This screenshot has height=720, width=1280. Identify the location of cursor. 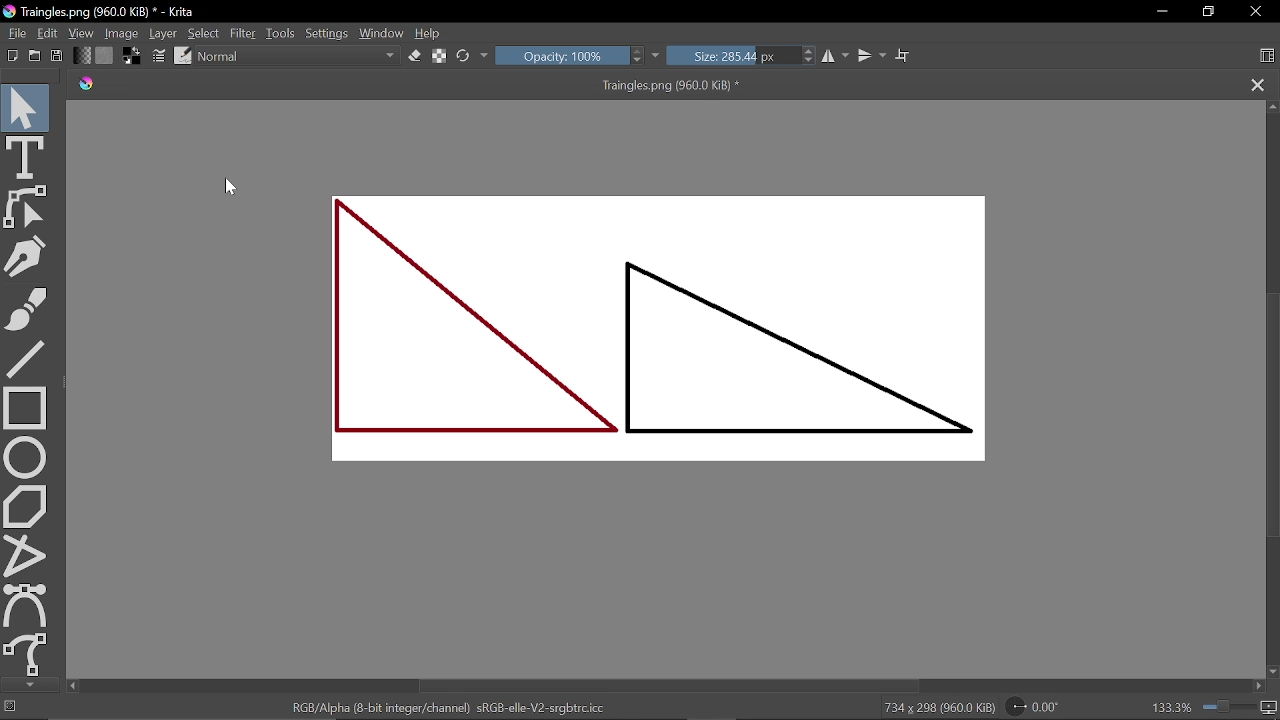
(235, 189).